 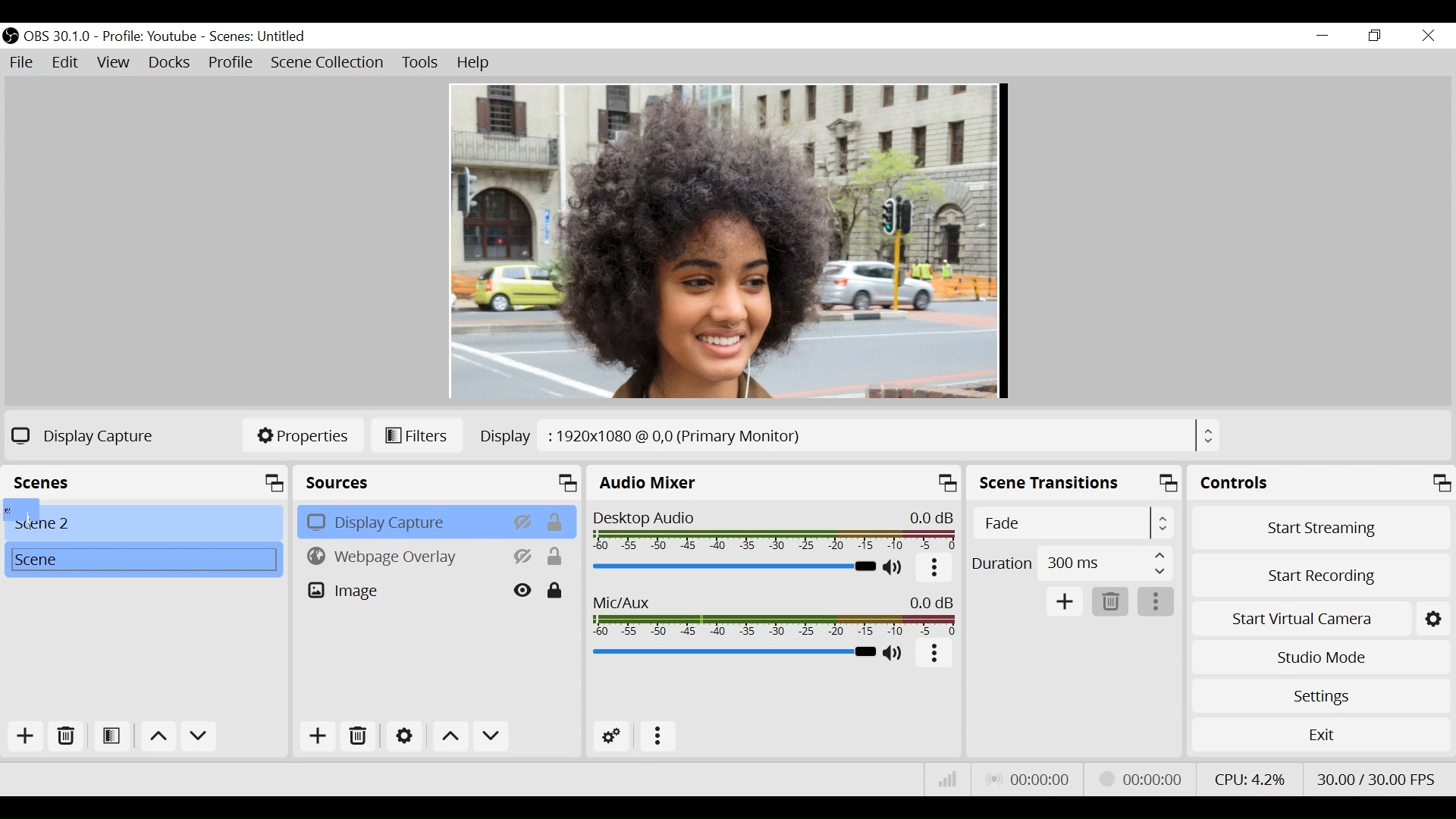 What do you see at coordinates (148, 481) in the screenshot?
I see `Scene` at bounding box center [148, 481].